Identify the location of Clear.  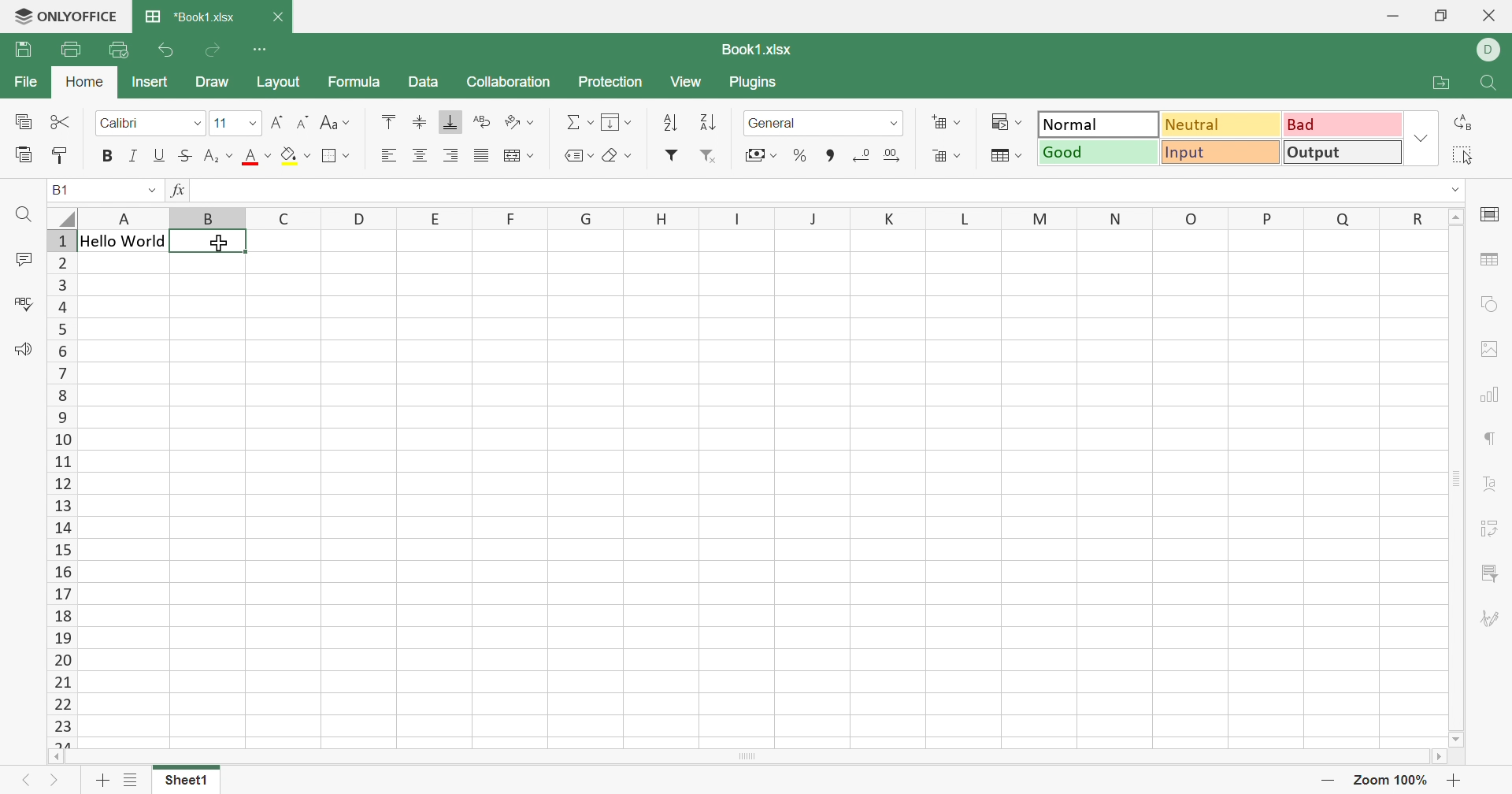
(620, 155).